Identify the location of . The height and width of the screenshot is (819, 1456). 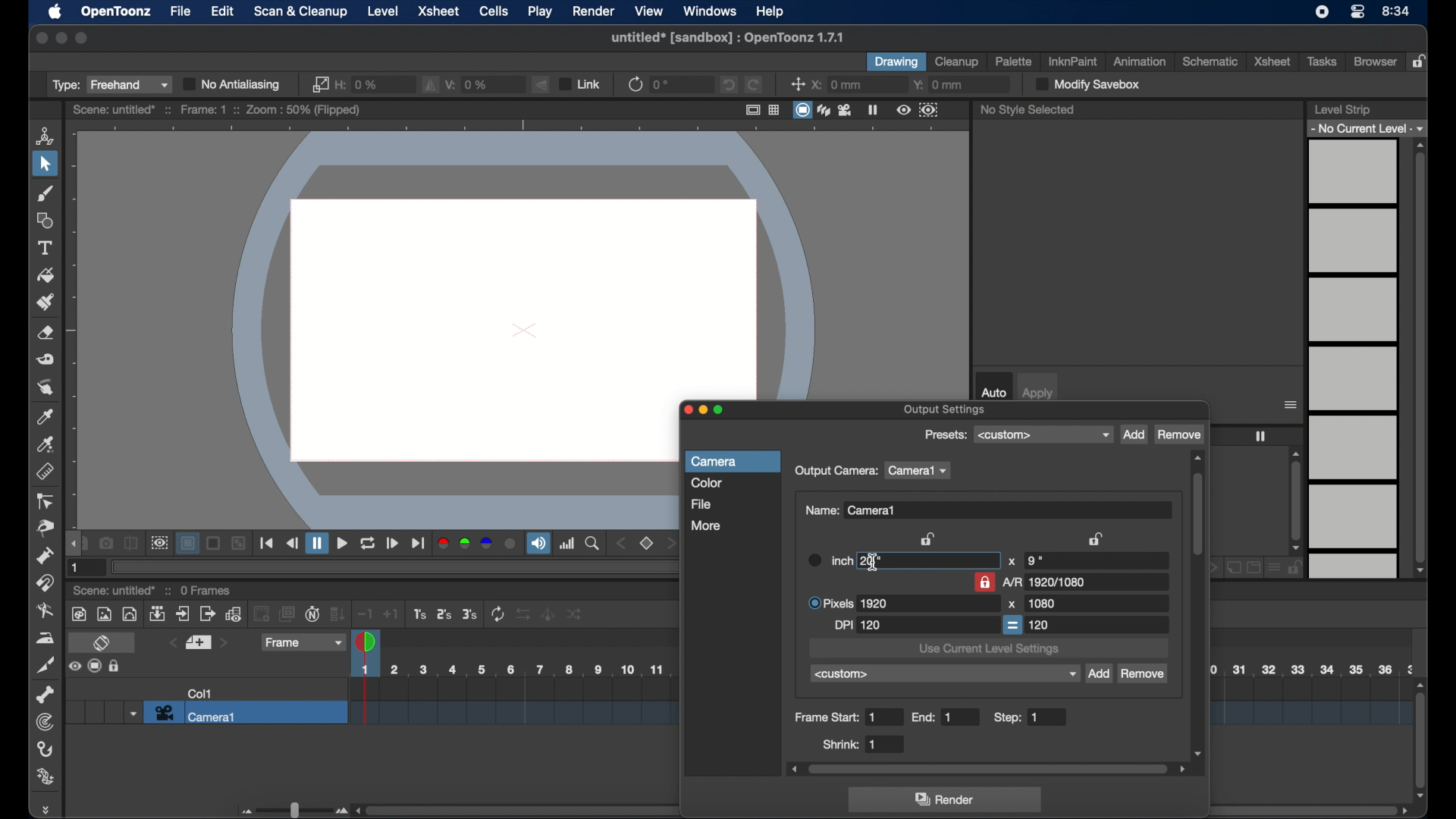
(170, 591).